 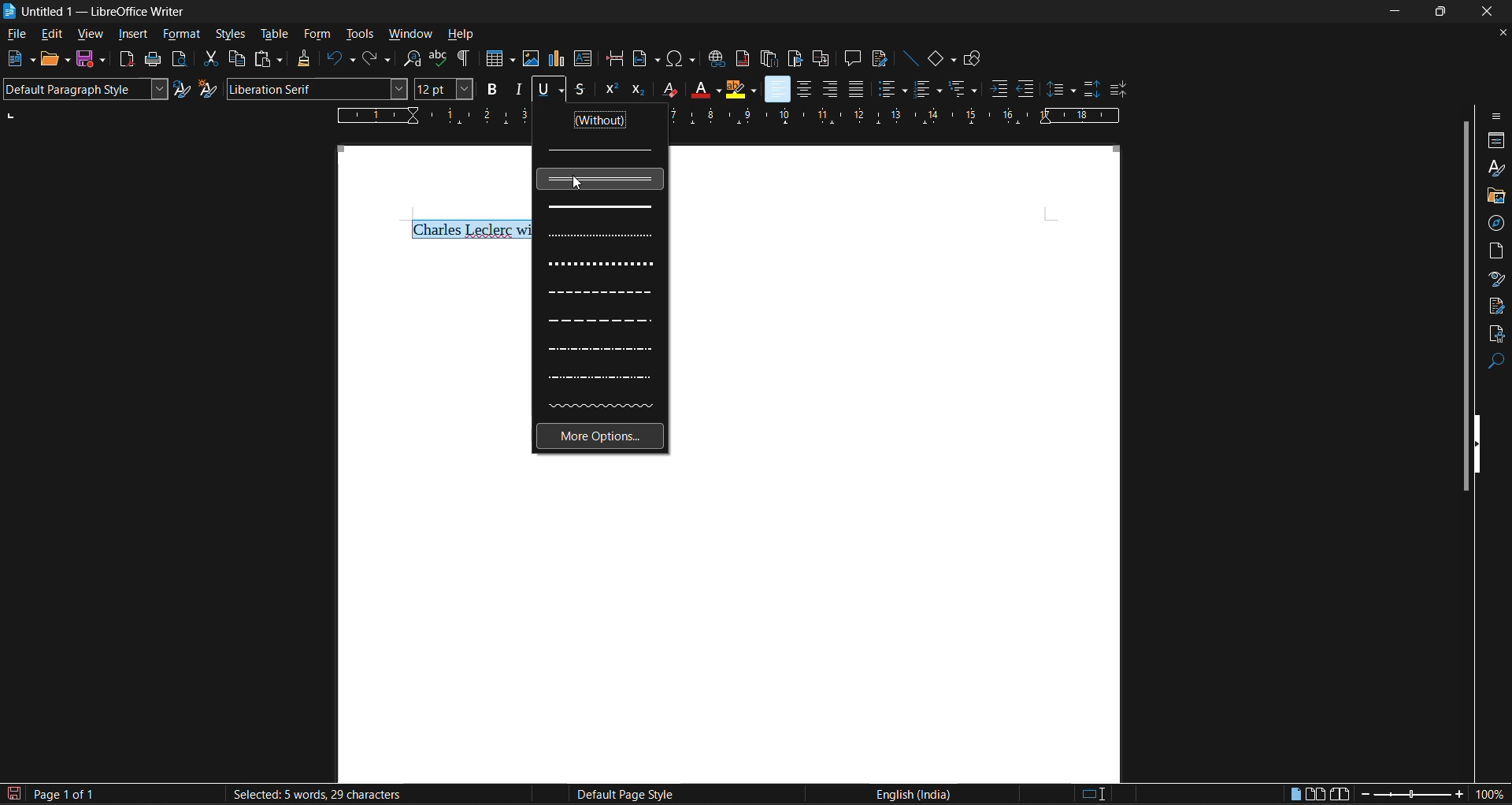 What do you see at coordinates (602, 121) in the screenshot?
I see `without` at bounding box center [602, 121].